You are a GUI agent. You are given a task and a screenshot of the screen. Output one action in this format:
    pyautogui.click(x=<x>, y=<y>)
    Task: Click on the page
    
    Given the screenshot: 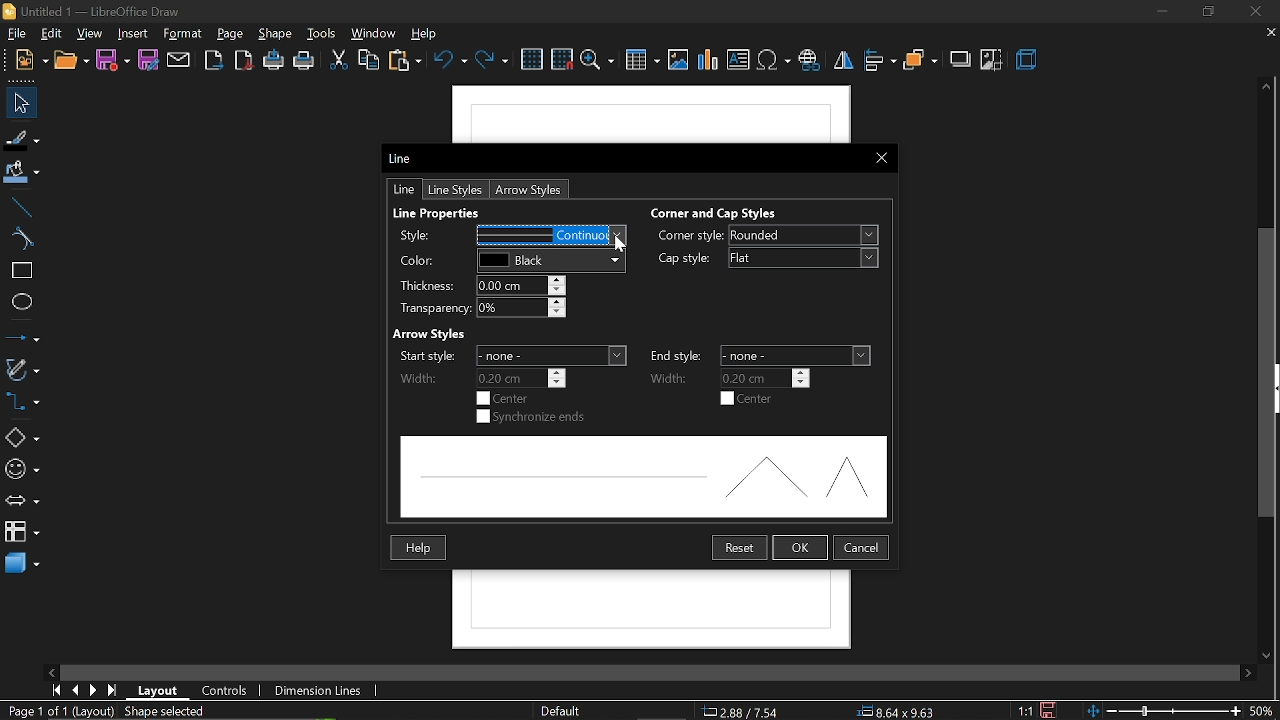 What is the action you would take?
    pyautogui.click(x=230, y=33)
    